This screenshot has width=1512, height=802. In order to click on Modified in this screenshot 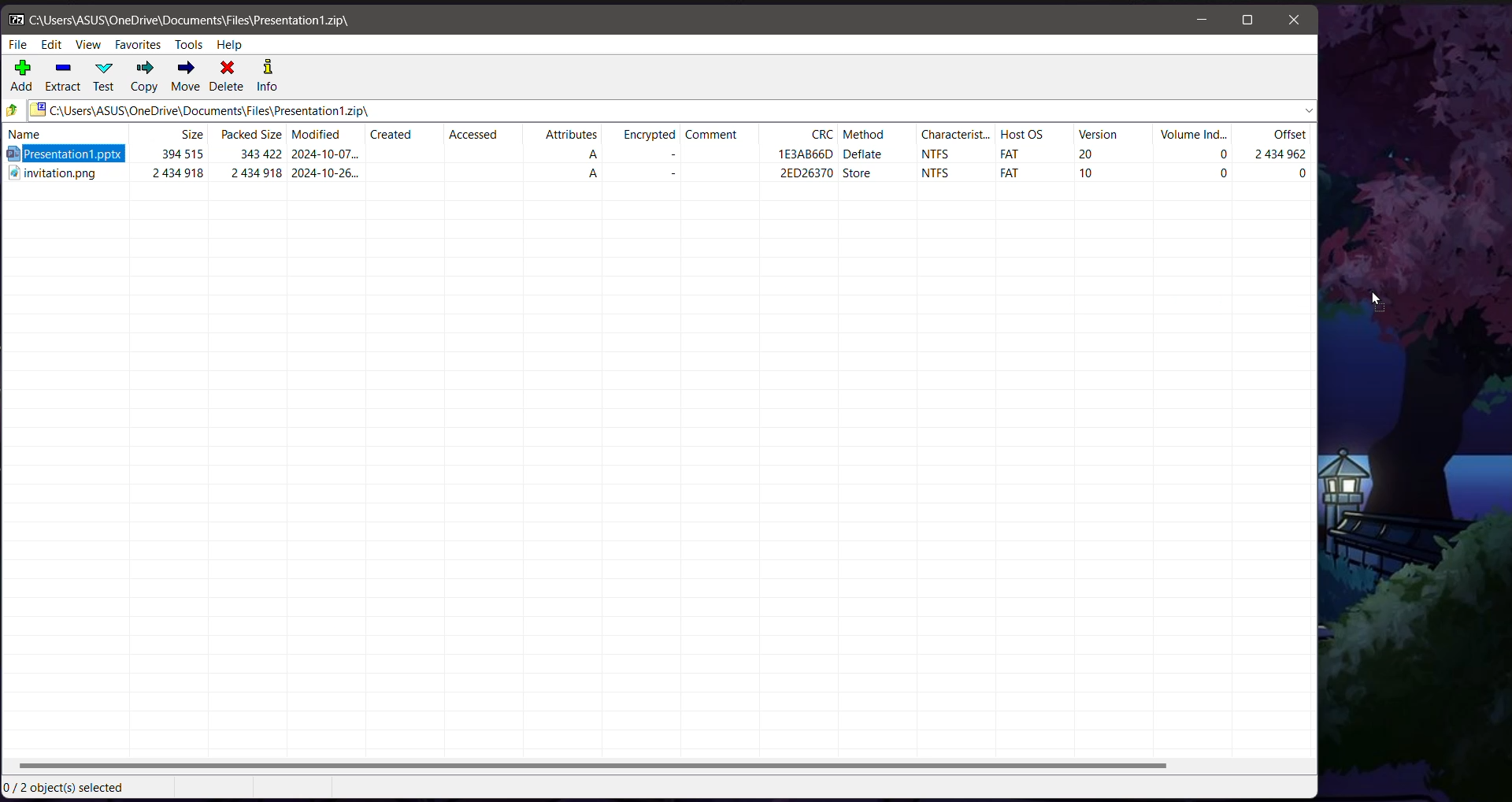, I will do `click(318, 136)`.